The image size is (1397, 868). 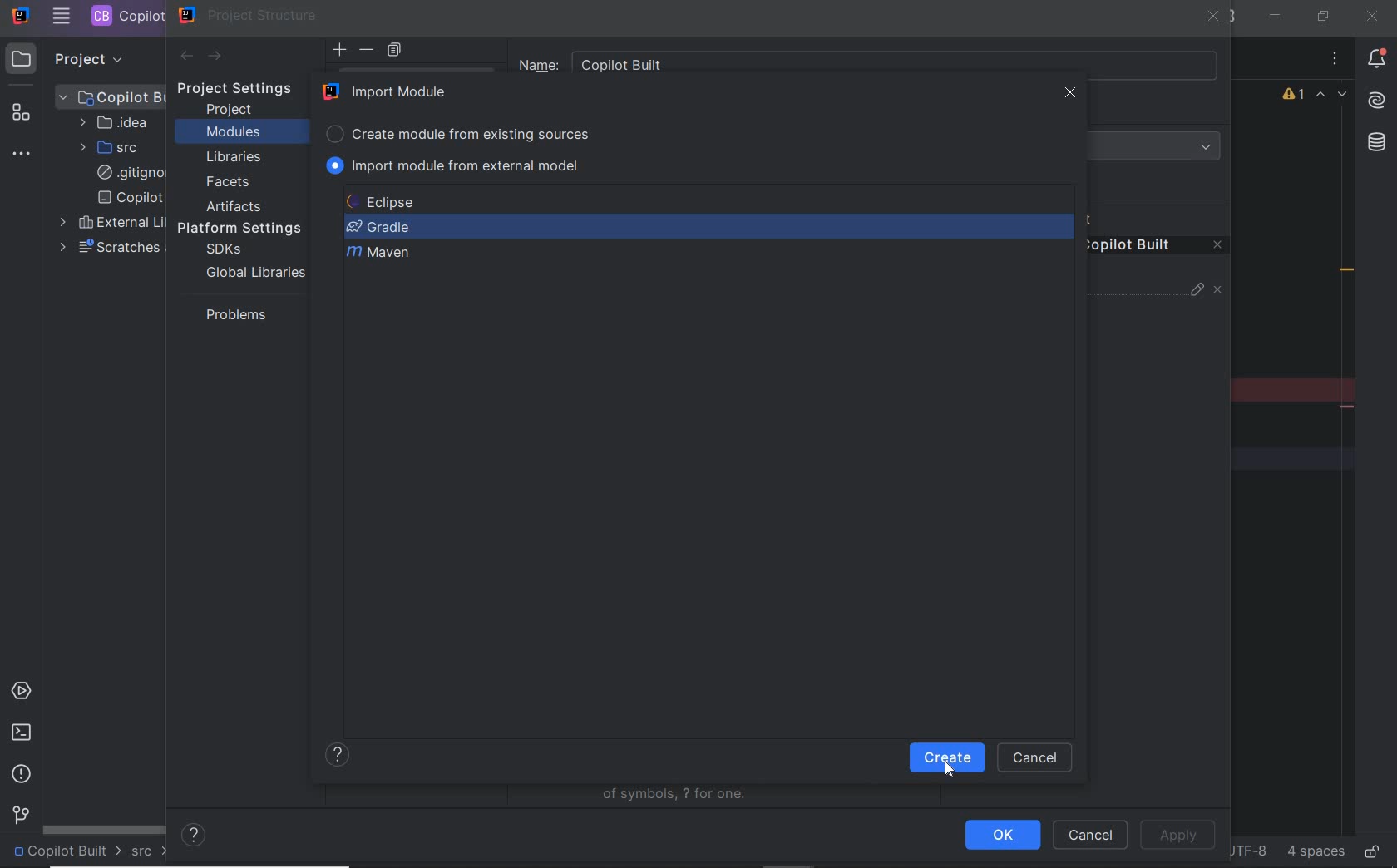 What do you see at coordinates (1276, 16) in the screenshot?
I see `minimize` at bounding box center [1276, 16].